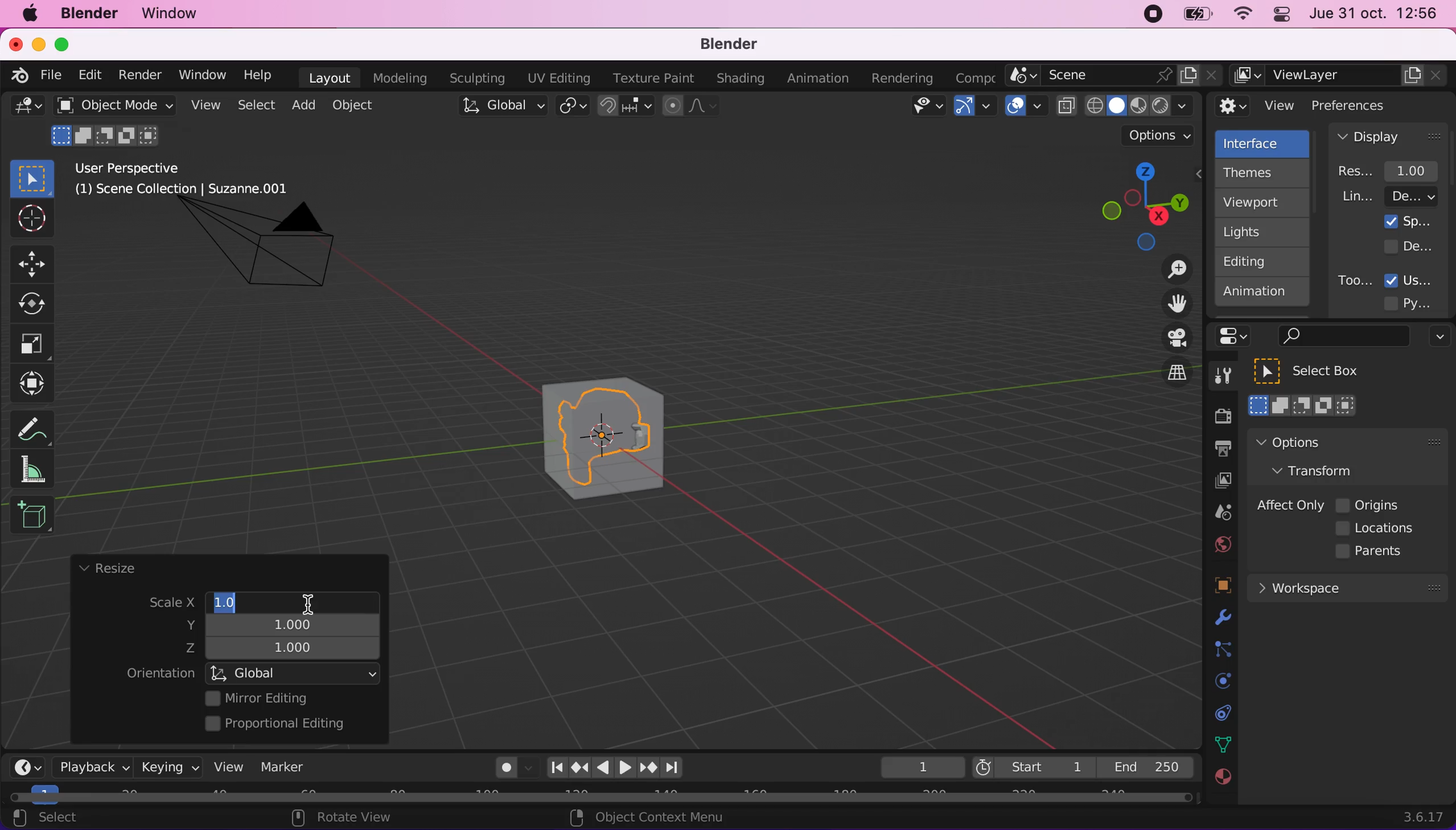 This screenshot has height=830, width=1456. I want to click on measure, so click(40, 469).